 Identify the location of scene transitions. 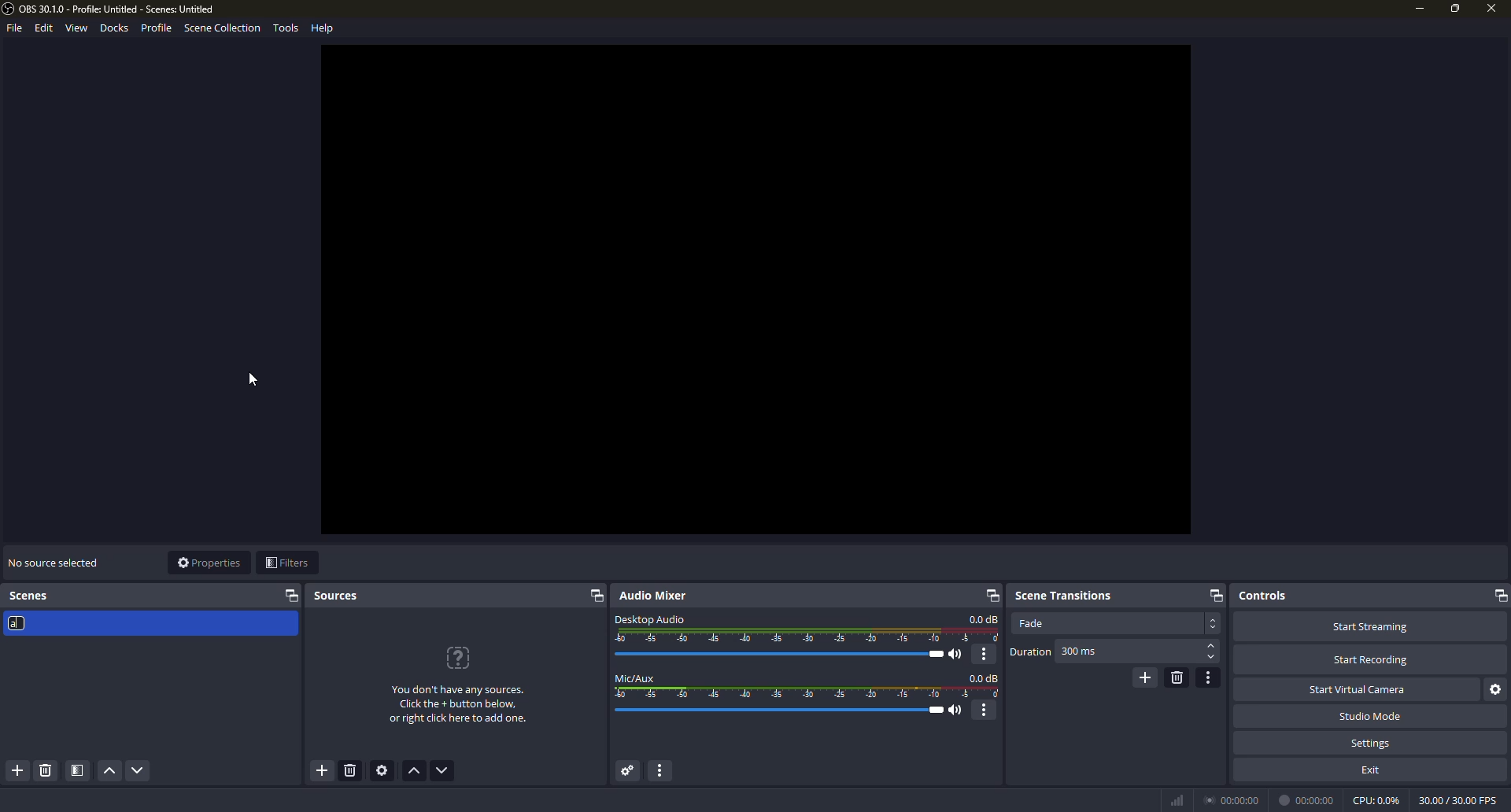
(1063, 593).